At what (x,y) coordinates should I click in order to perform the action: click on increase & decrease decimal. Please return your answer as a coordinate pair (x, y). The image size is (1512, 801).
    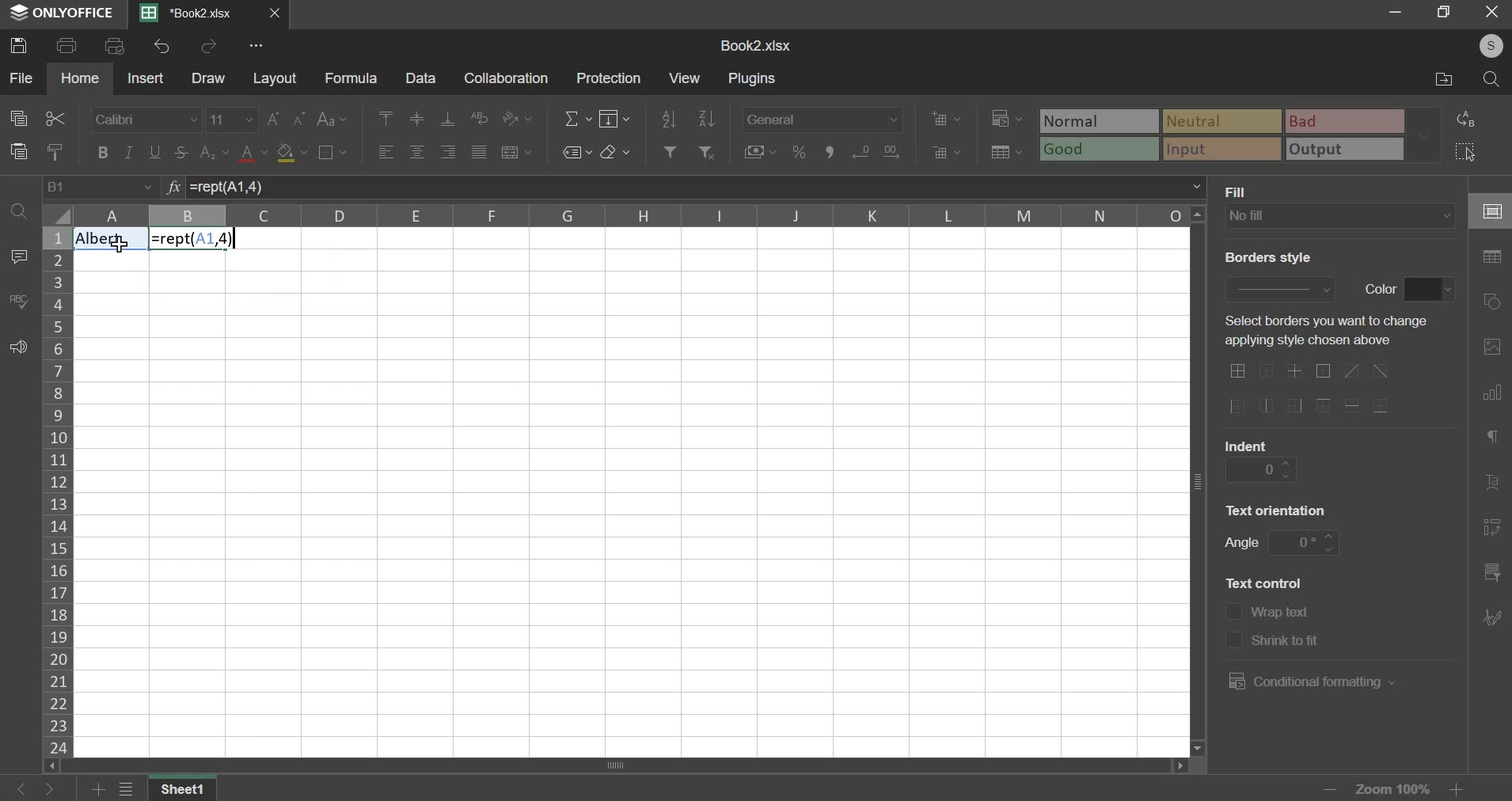
    Looking at the image, I should click on (876, 151).